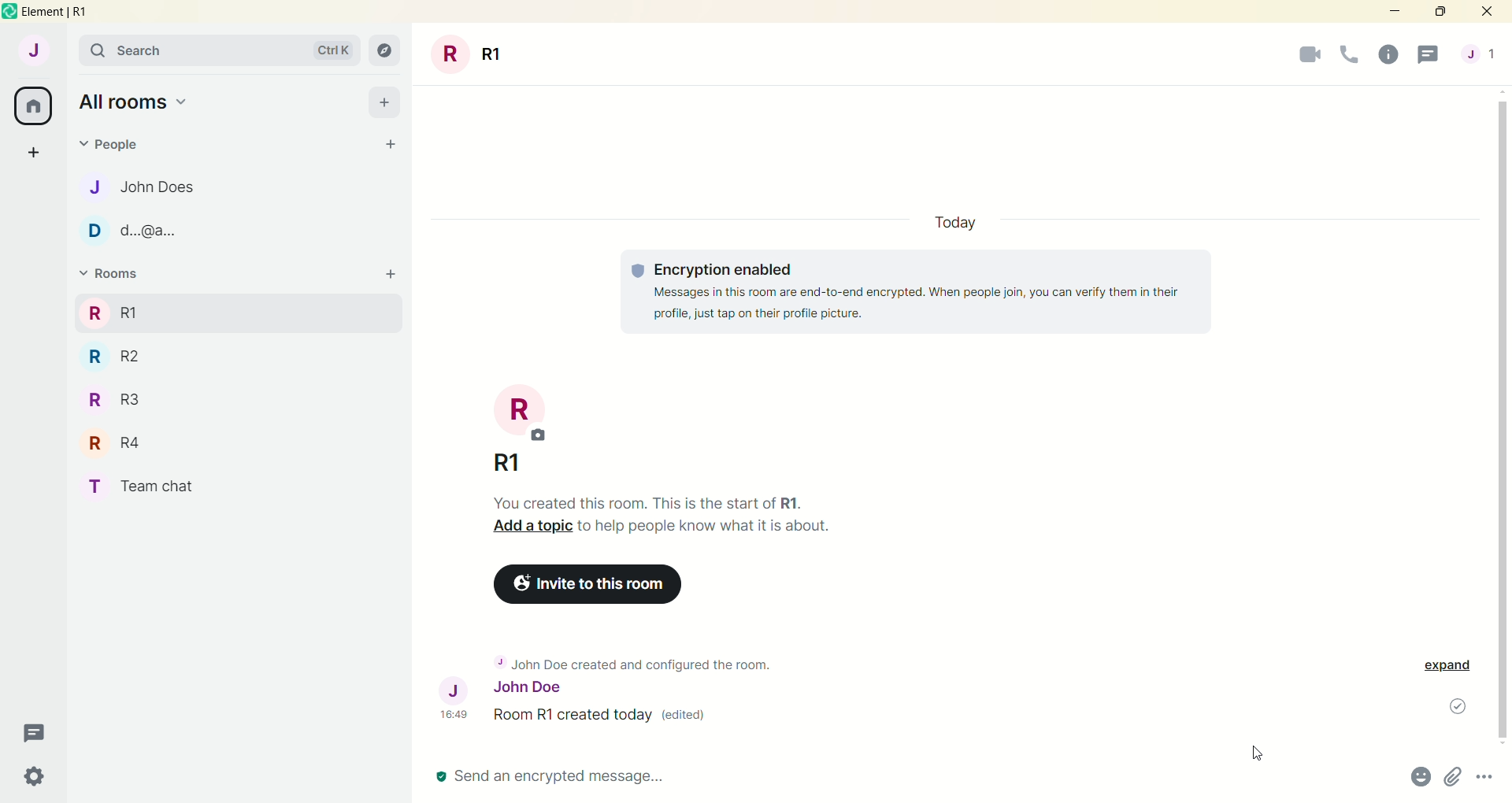  What do you see at coordinates (522, 413) in the screenshot?
I see `room title` at bounding box center [522, 413].